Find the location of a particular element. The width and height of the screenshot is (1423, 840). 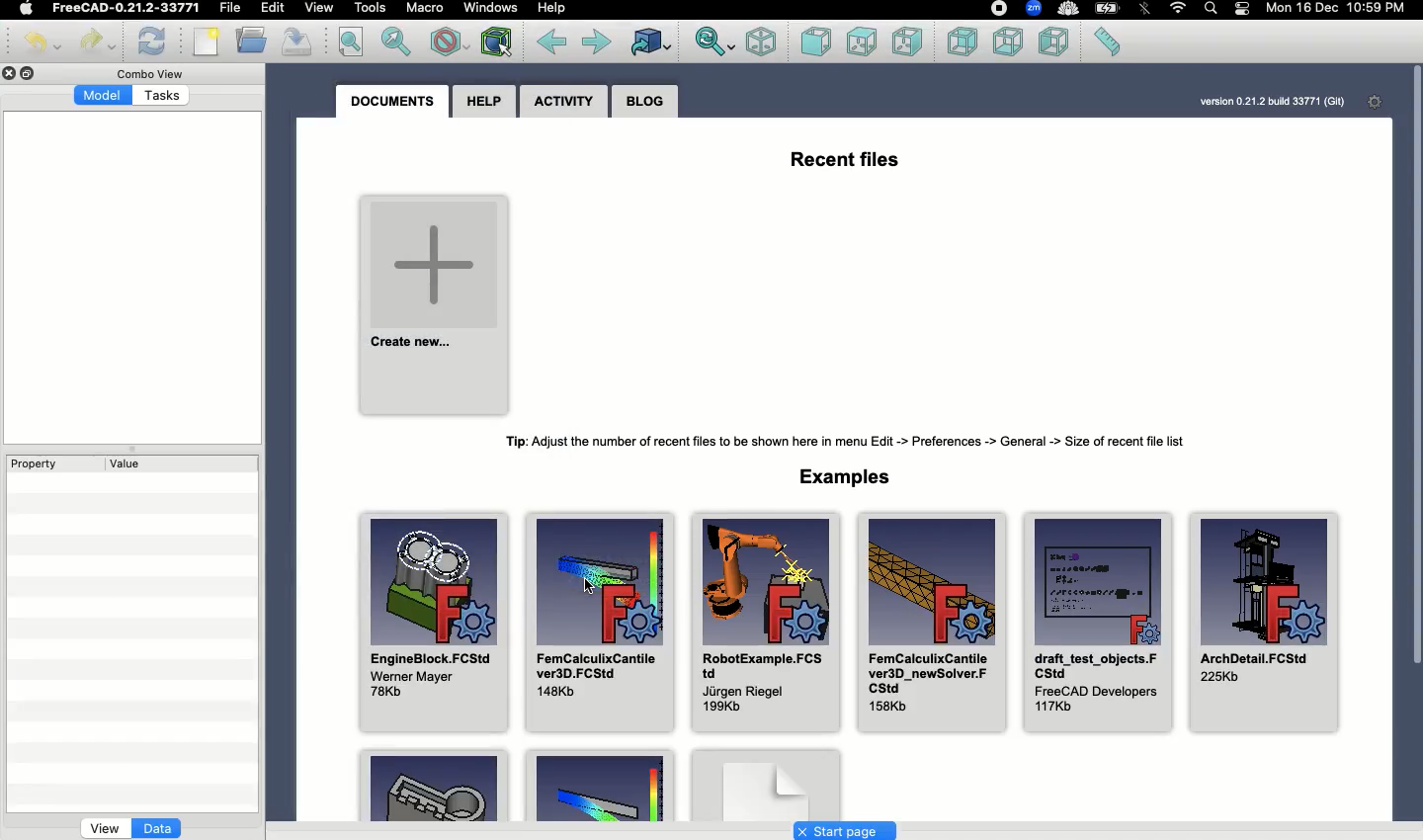

Draw style is located at coordinates (446, 43).